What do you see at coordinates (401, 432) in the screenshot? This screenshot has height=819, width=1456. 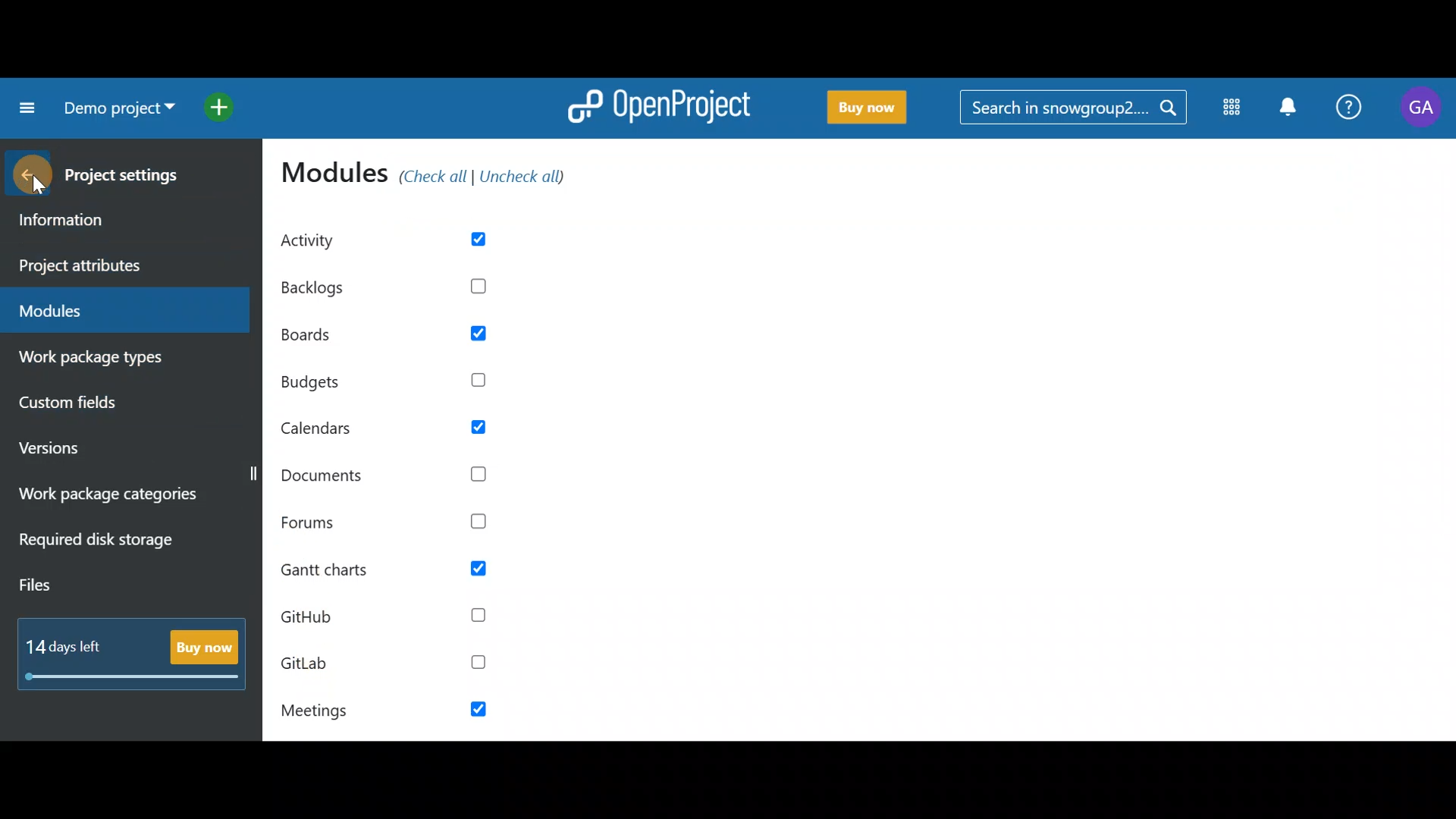 I see `Calendars` at bounding box center [401, 432].